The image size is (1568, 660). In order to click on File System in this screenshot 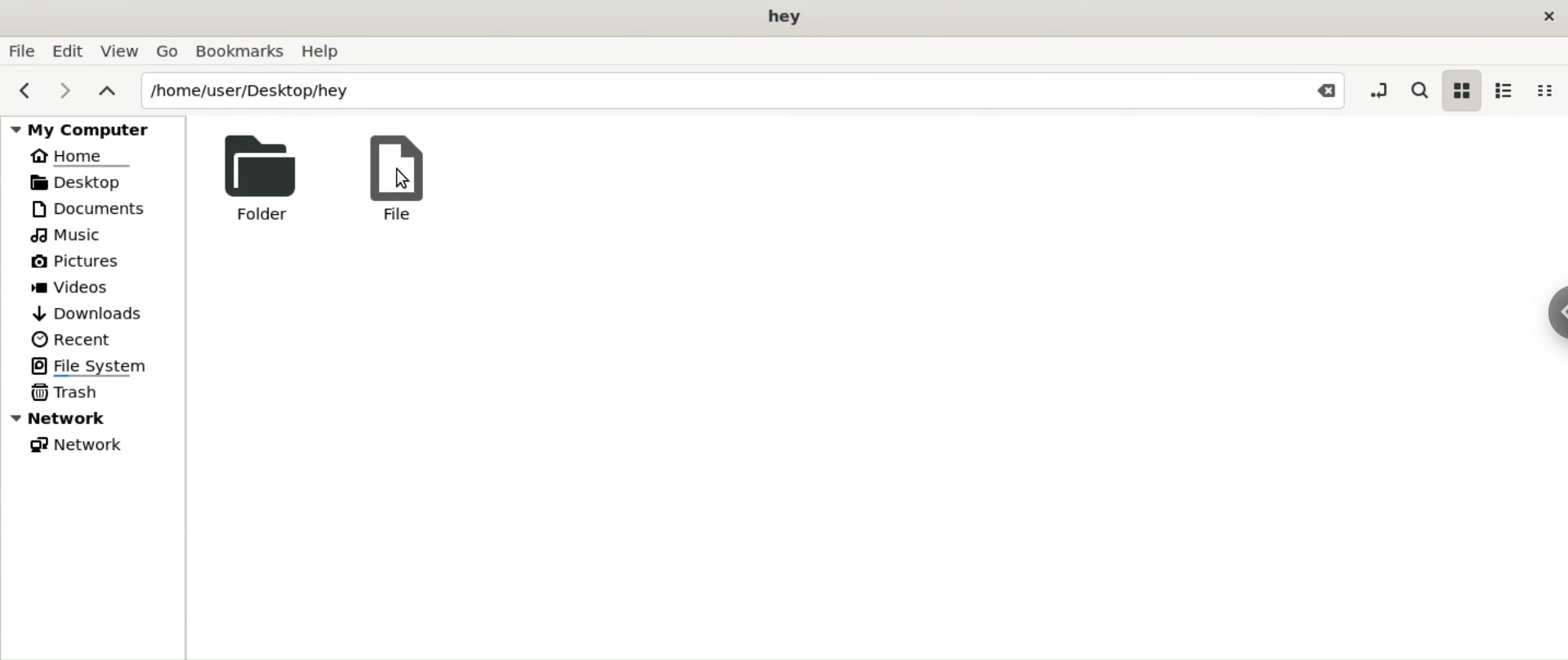, I will do `click(100, 364)`.